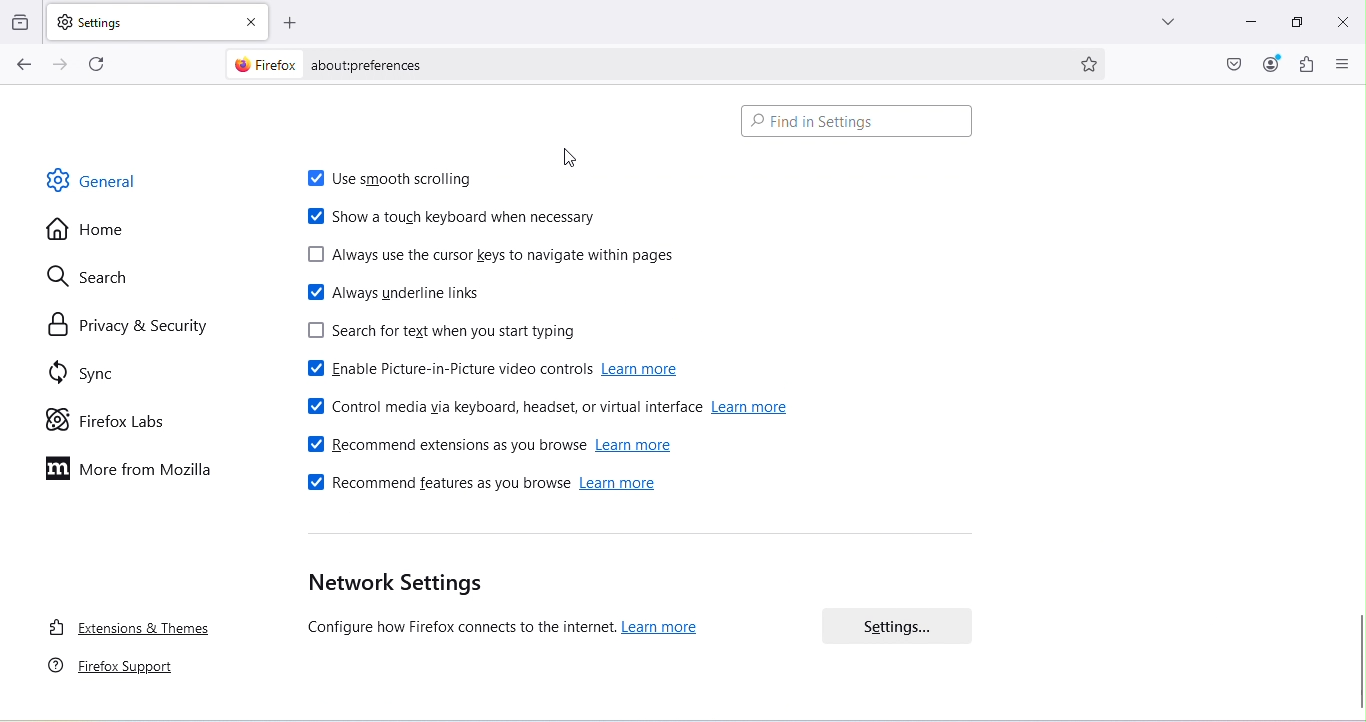  What do you see at coordinates (1295, 24) in the screenshot?
I see `Maximize` at bounding box center [1295, 24].